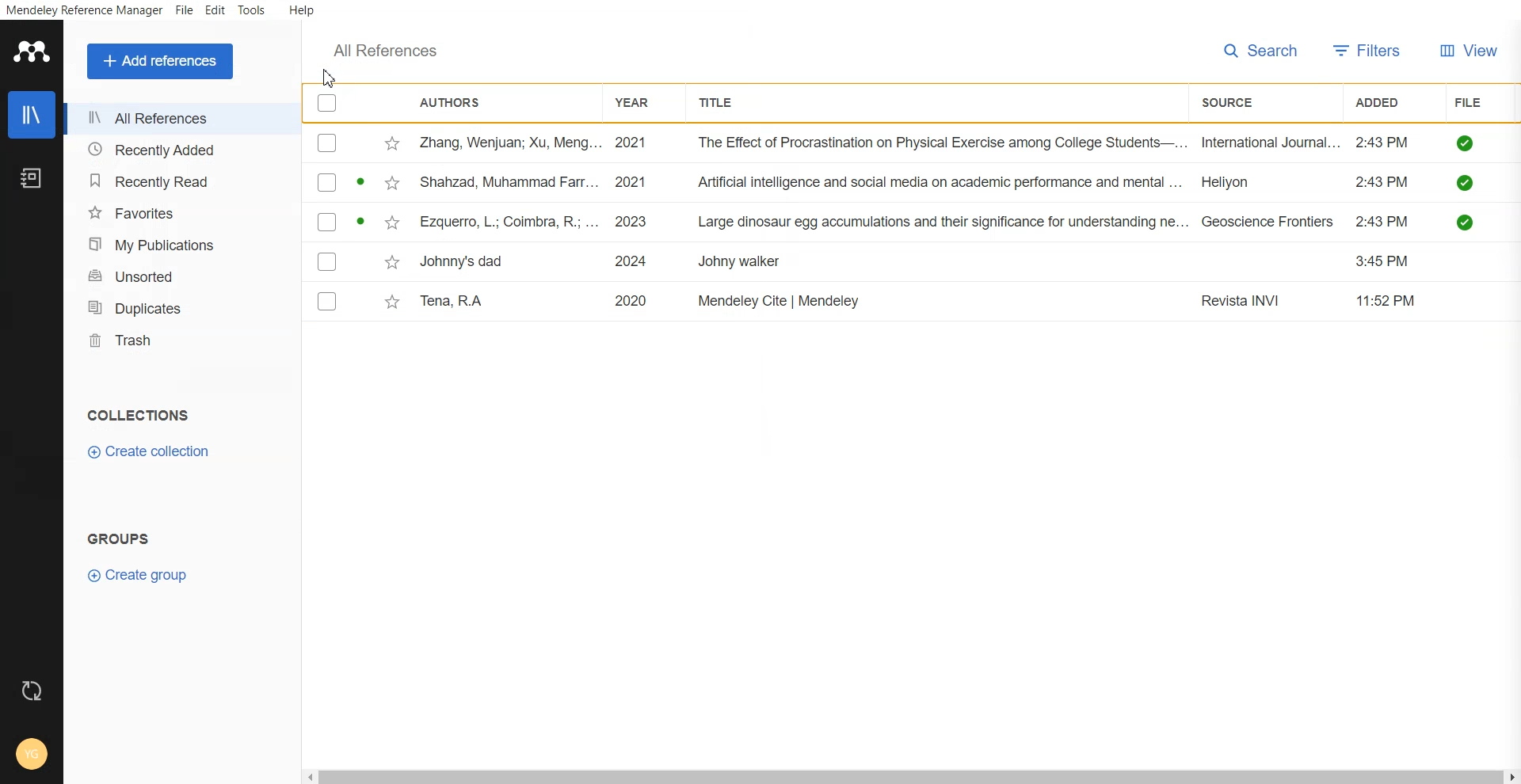 The width and height of the screenshot is (1521, 784). What do you see at coordinates (943, 223) in the screenshot?
I see `Large dinosaur egg accumulations and their significance for understanding ne...` at bounding box center [943, 223].